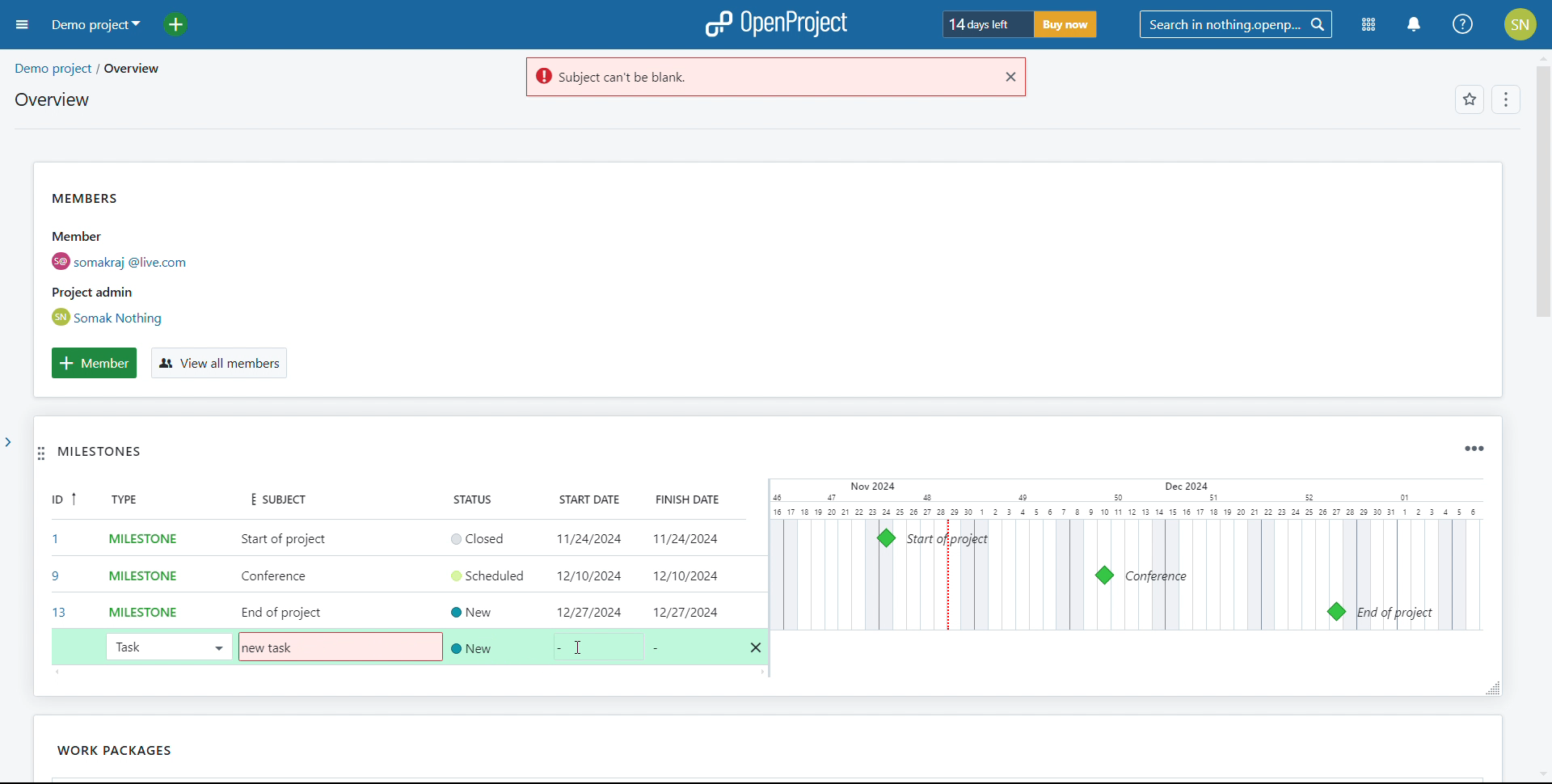 The width and height of the screenshot is (1552, 784). Describe the element at coordinates (1488, 687) in the screenshot. I see `resize widget` at that location.